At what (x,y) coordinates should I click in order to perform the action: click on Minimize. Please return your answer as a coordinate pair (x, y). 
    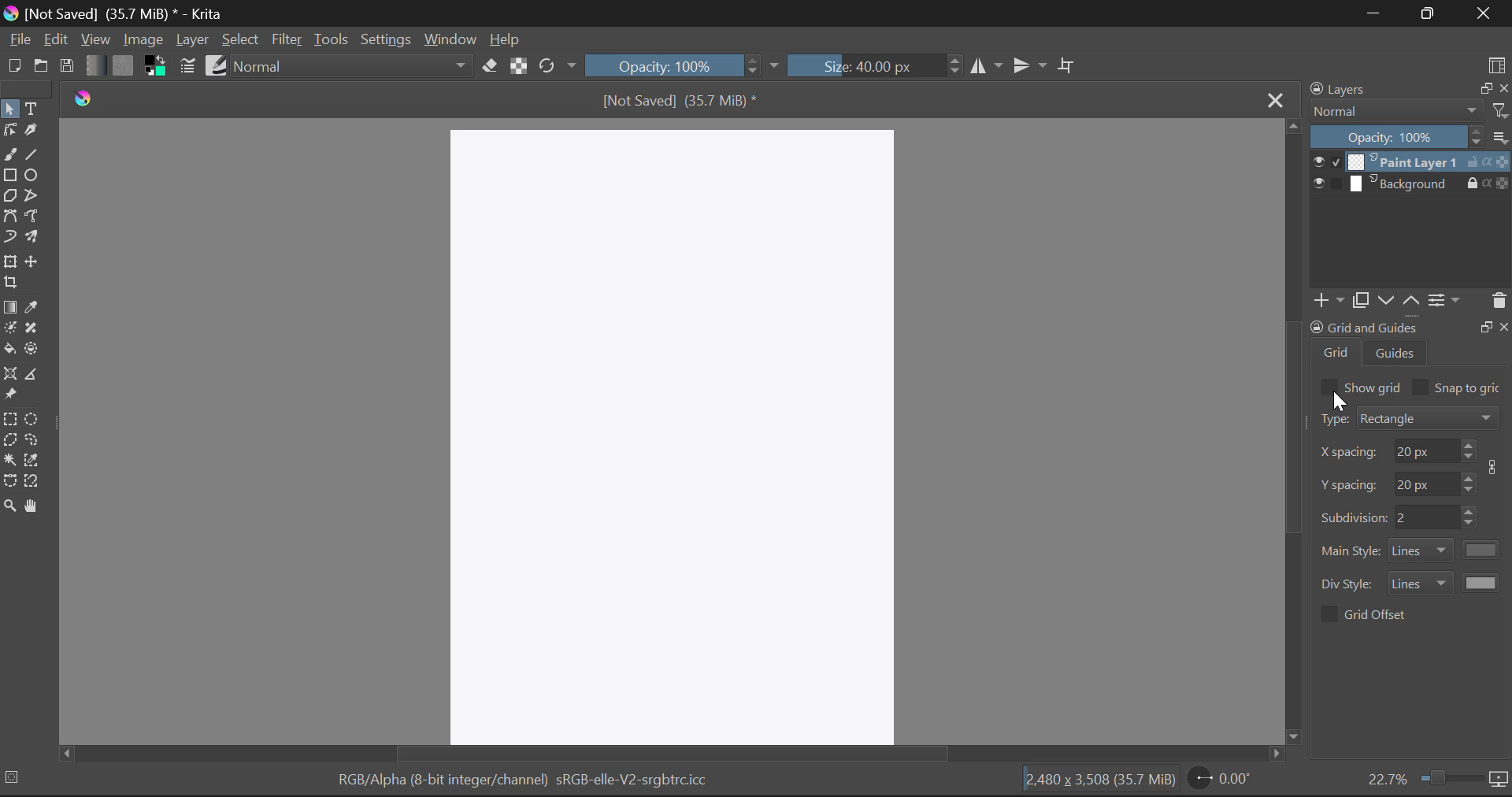
    Looking at the image, I should click on (1433, 13).